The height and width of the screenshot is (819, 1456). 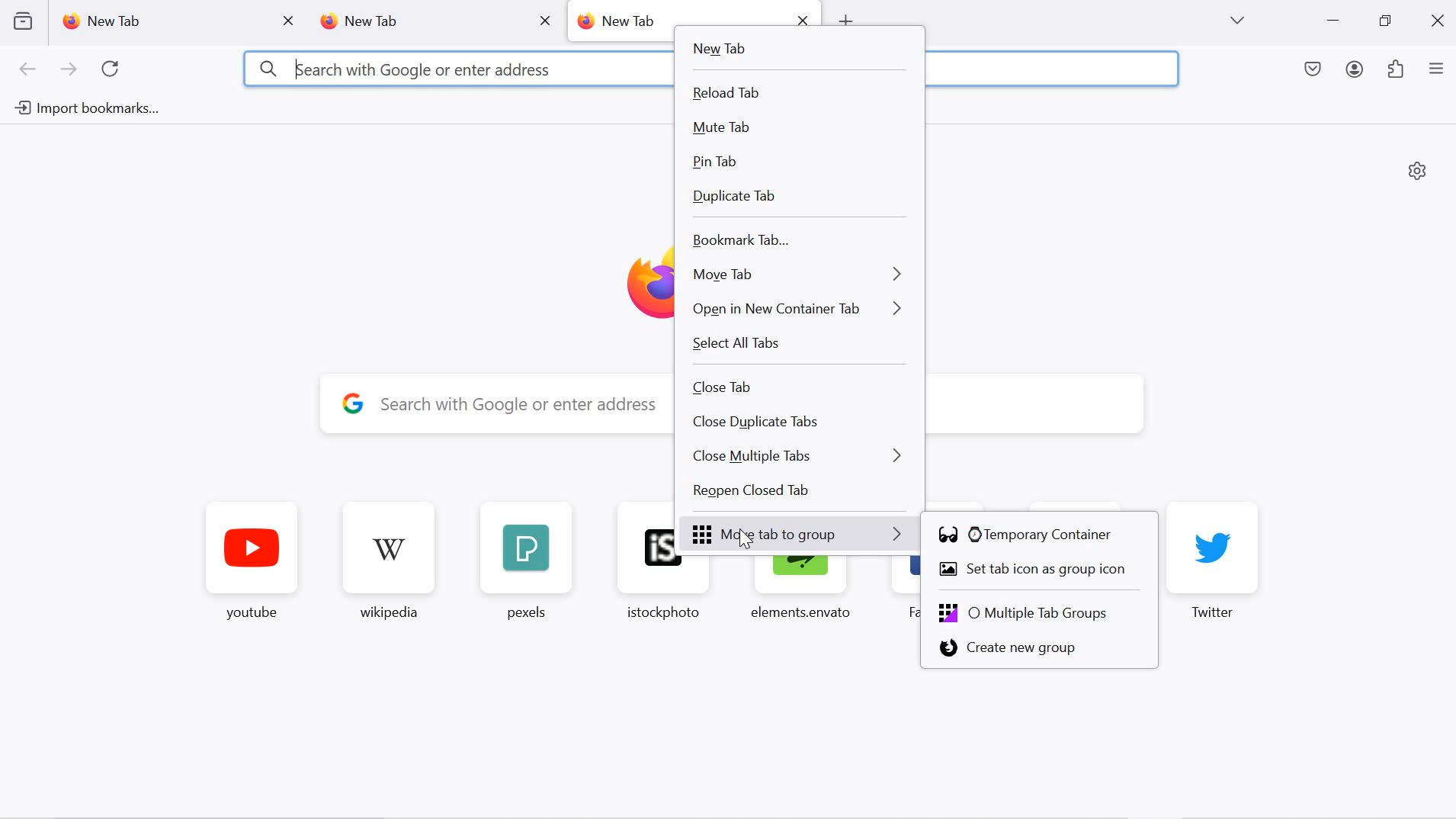 I want to click on extensions, so click(x=1397, y=71).